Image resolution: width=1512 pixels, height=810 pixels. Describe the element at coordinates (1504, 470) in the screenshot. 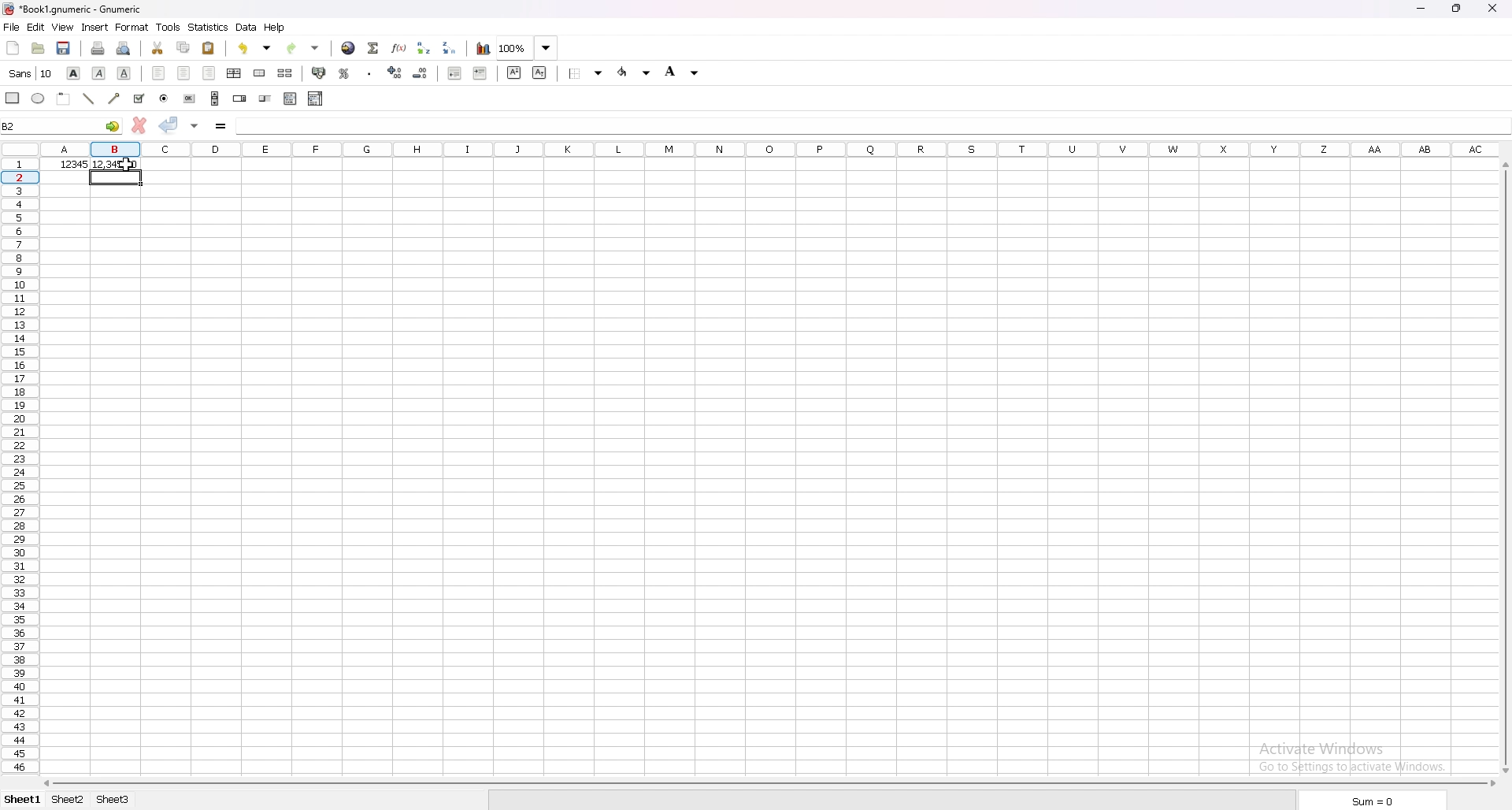

I see `scroll bar` at that location.